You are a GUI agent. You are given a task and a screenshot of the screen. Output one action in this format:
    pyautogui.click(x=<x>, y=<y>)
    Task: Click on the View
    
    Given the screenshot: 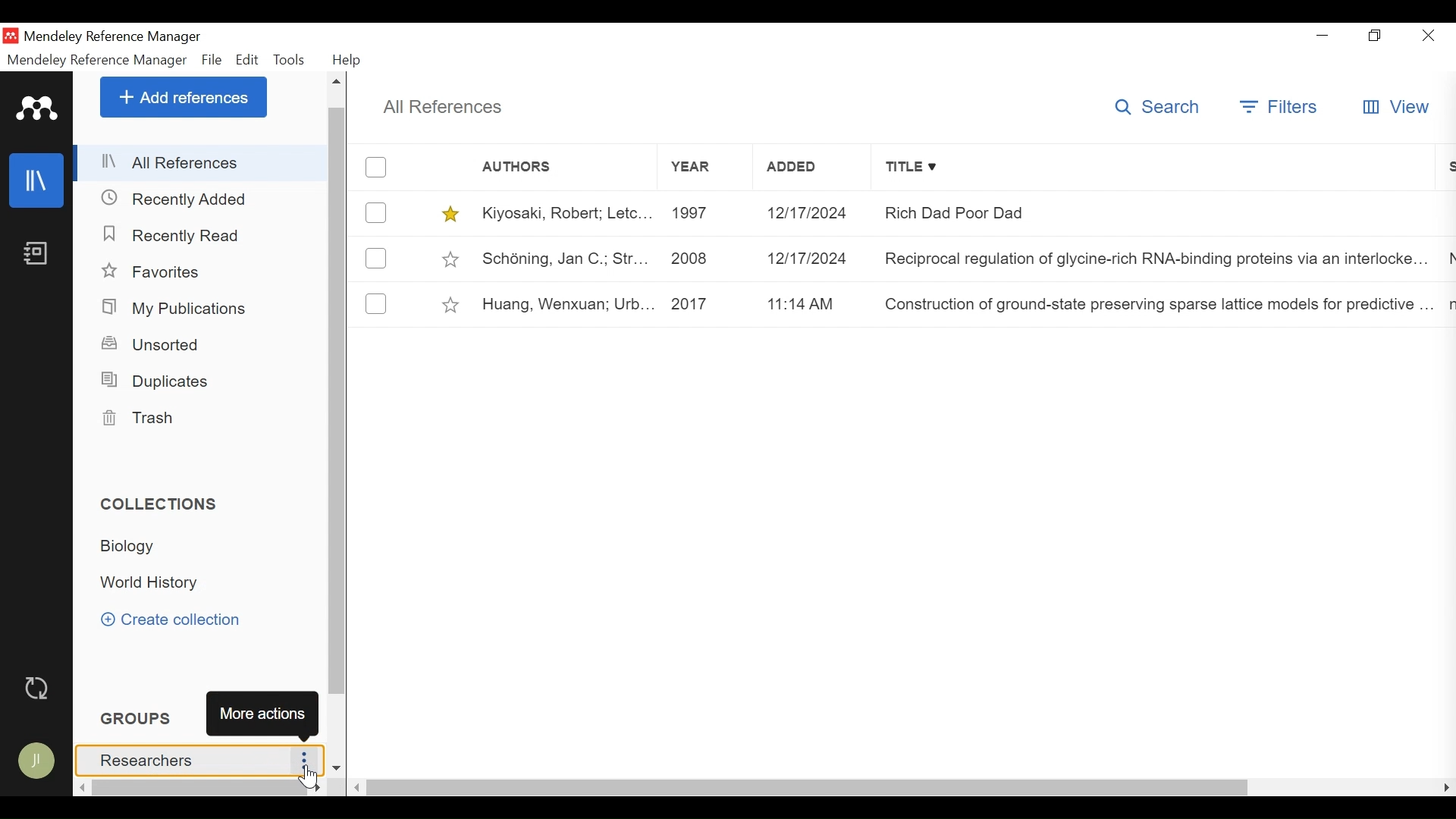 What is the action you would take?
    pyautogui.click(x=1395, y=106)
    